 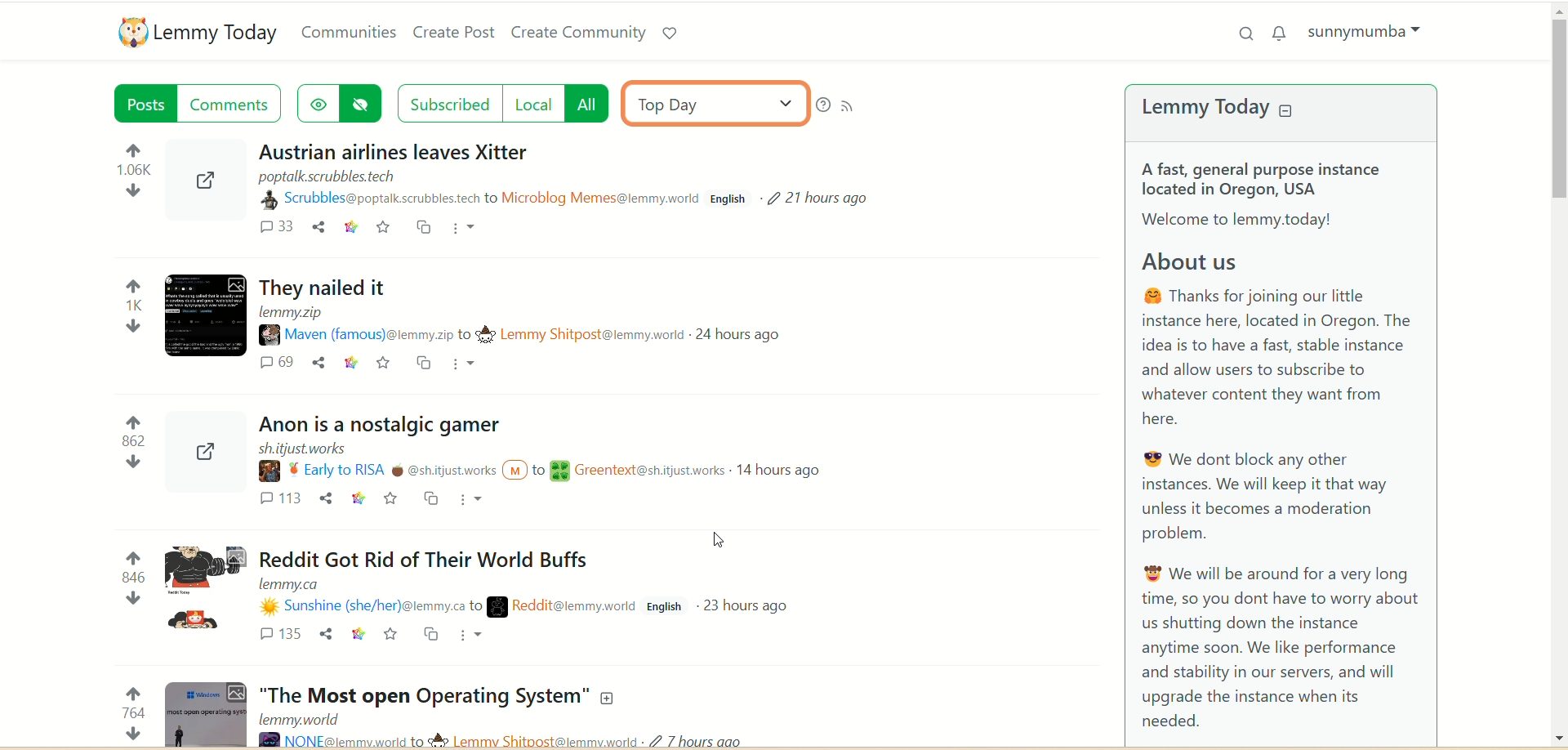 What do you see at coordinates (1283, 32) in the screenshot?
I see `notifications` at bounding box center [1283, 32].